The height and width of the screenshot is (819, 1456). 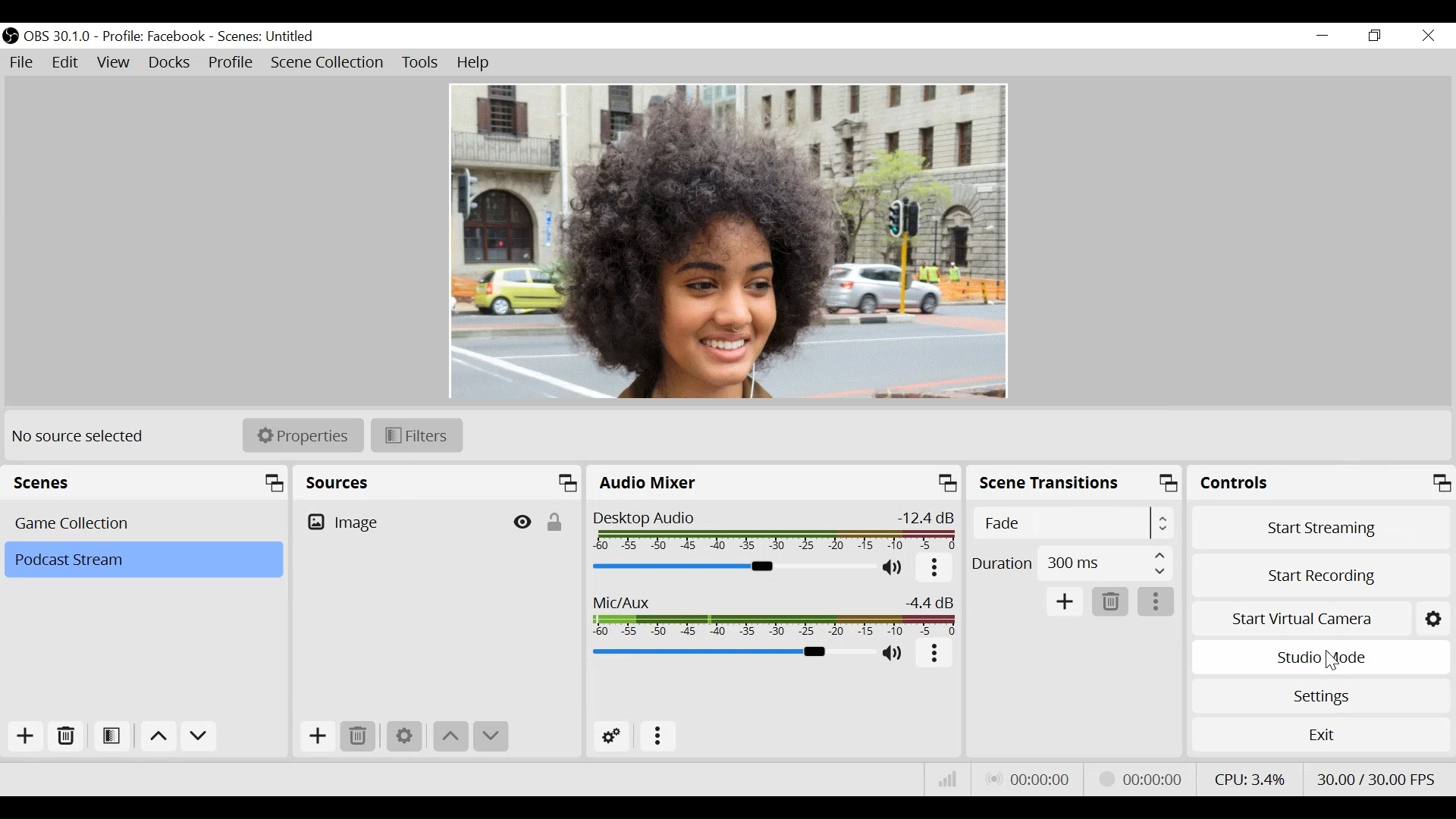 I want to click on more options, so click(x=659, y=736).